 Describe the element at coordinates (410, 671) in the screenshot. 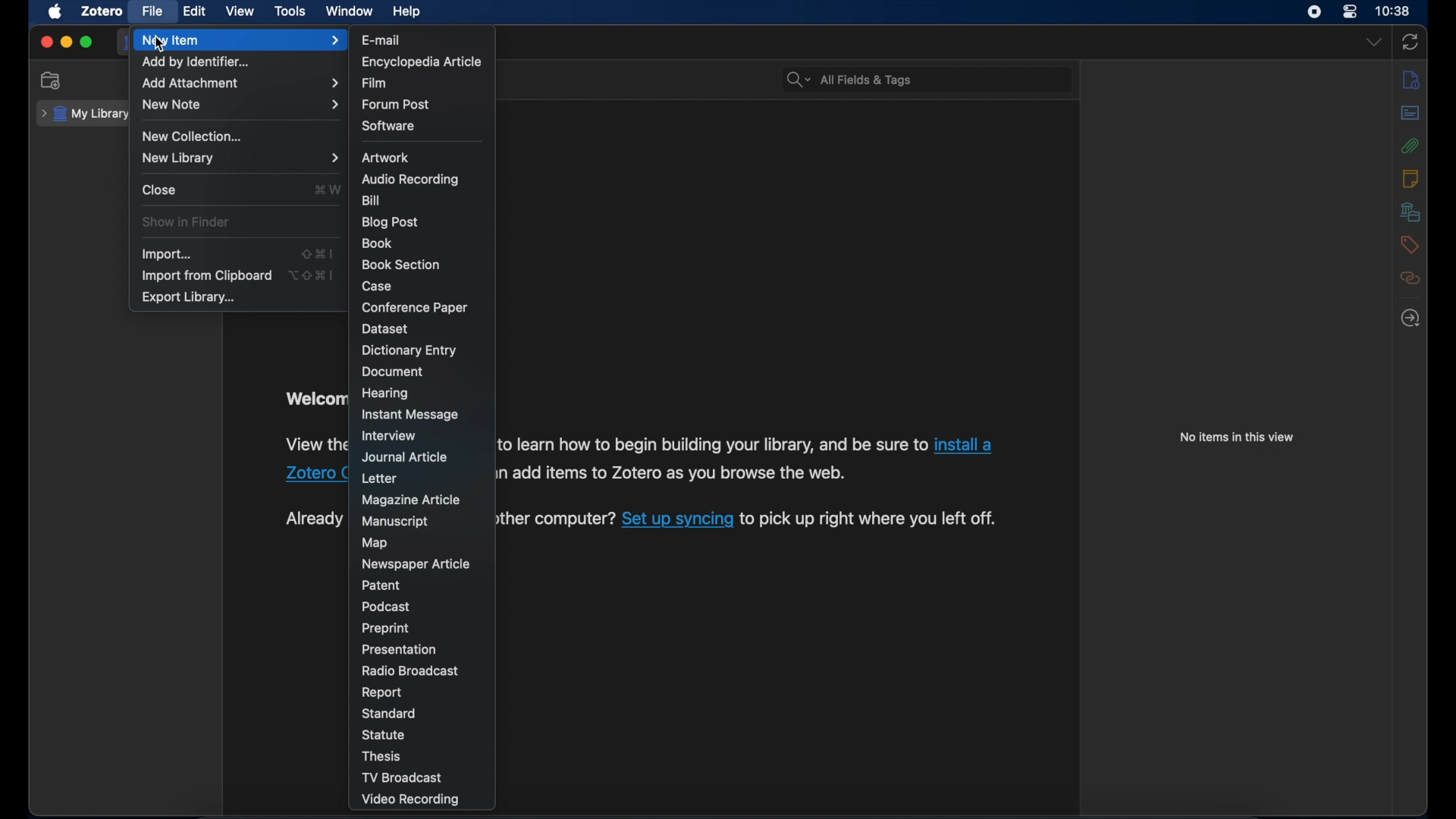

I see `radio broadcast` at that location.